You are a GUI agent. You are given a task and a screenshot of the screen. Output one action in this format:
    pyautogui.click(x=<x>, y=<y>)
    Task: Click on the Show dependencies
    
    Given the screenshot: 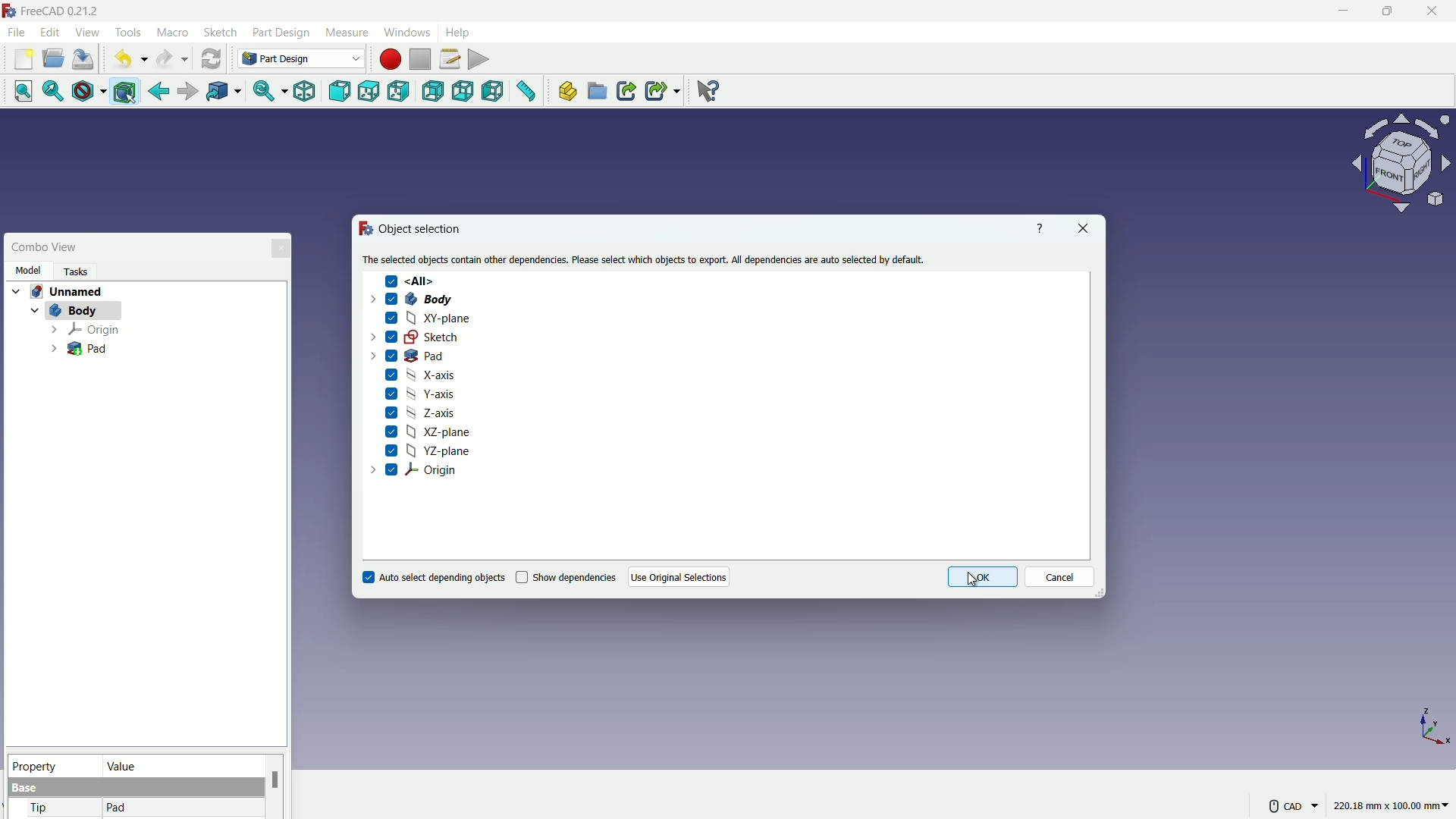 What is the action you would take?
    pyautogui.click(x=566, y=577)
    